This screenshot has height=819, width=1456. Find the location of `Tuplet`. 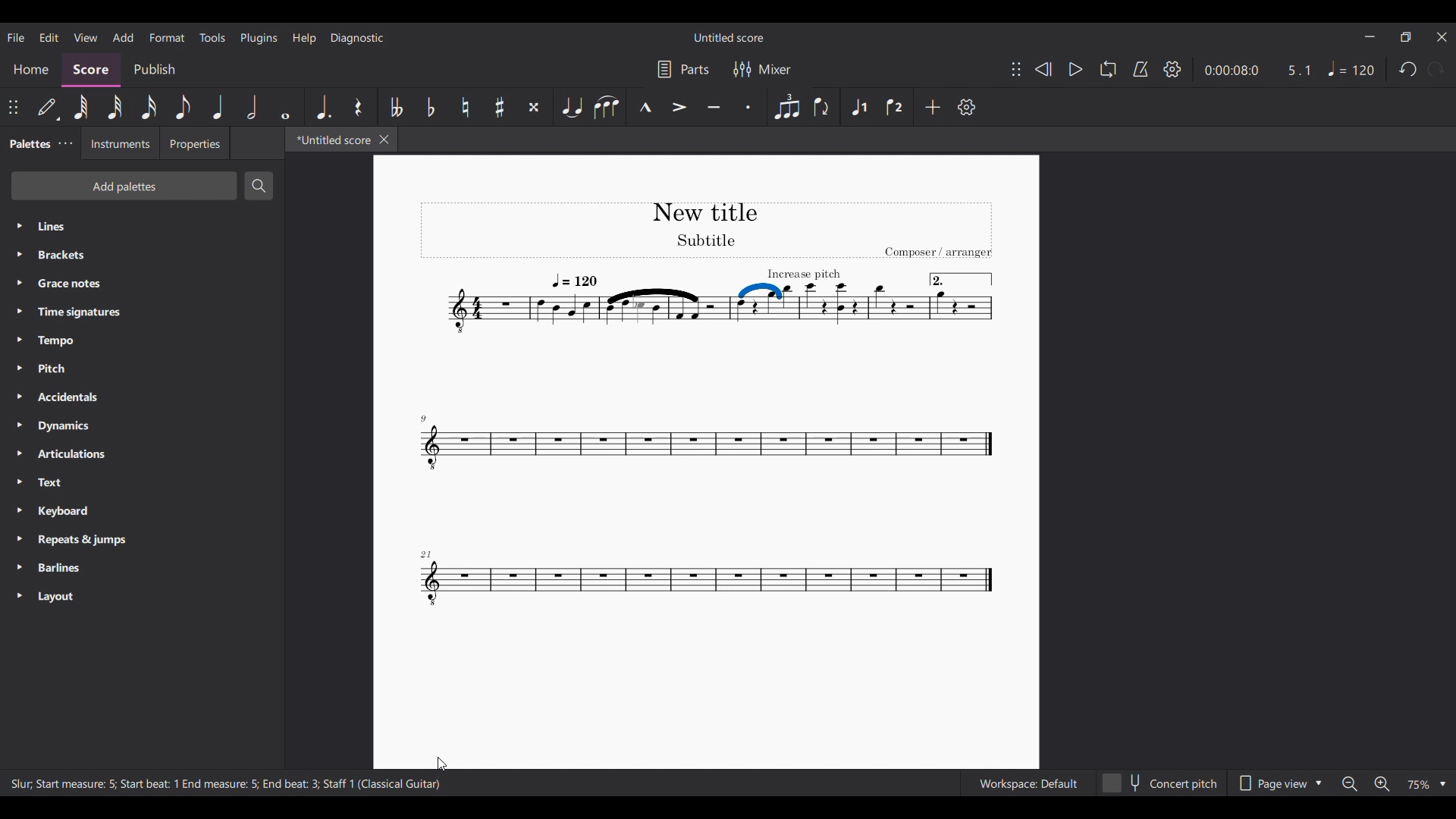

Tuplet is located at coordinates (787, 106).